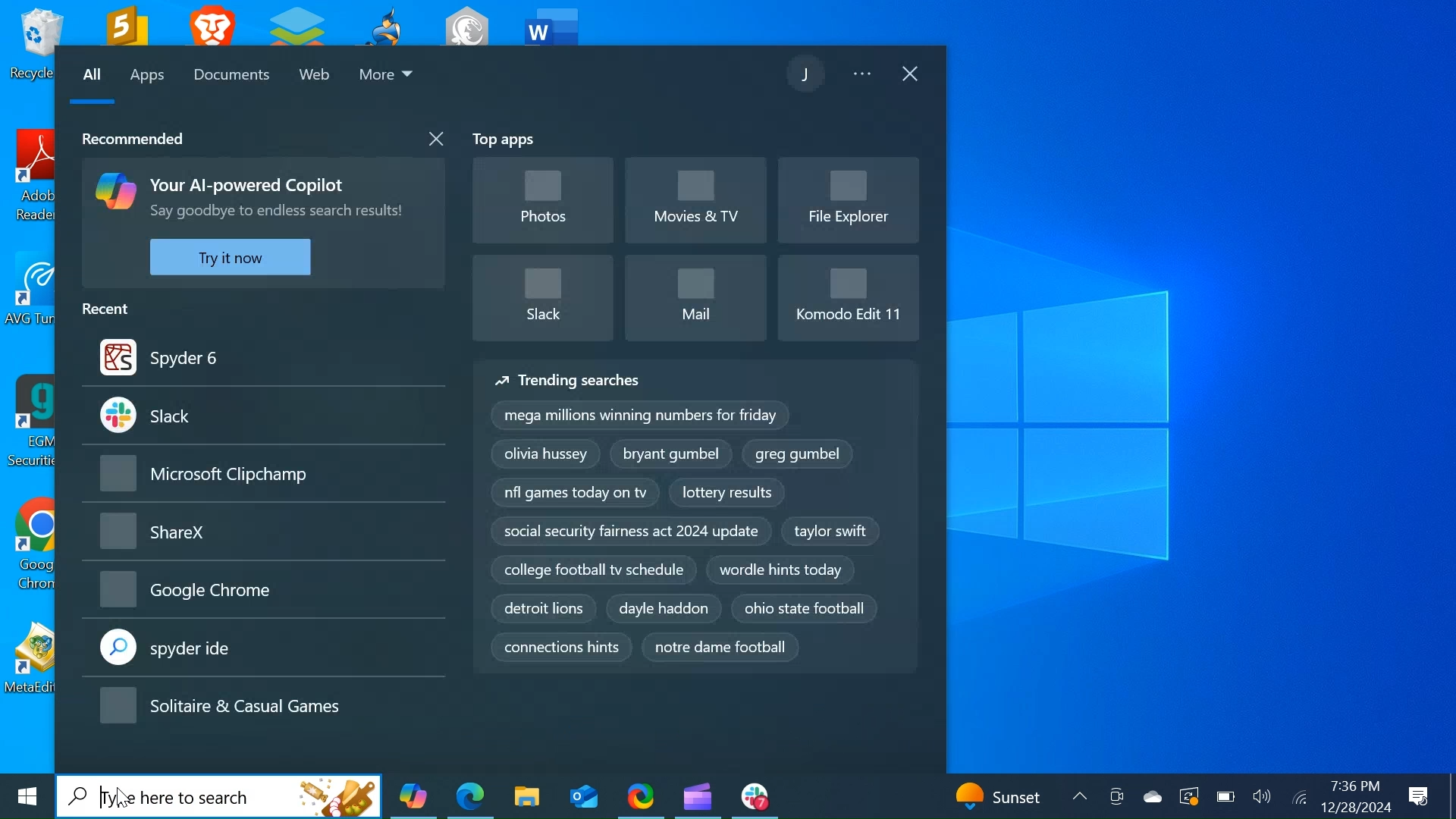 Image resolution: width=1456 pixels, height=819 pixels. Describe the element at coordinates (130, 137) in the screenshot. I see `Recommended` at that location.